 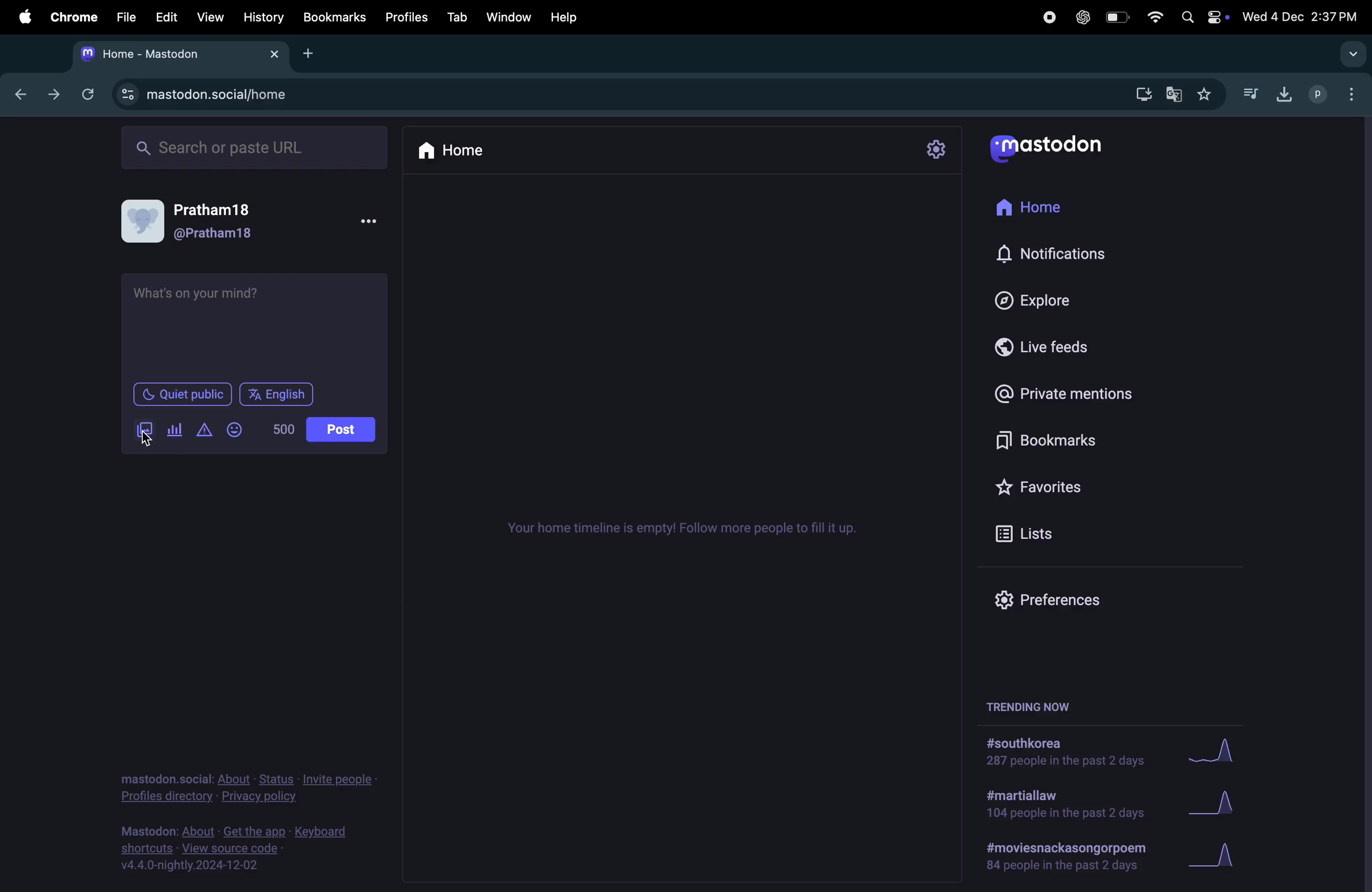 What do you see at coordinates (1067, 751) in the screenshot?
I see `#south korea` at bounding box center [1067, 751].